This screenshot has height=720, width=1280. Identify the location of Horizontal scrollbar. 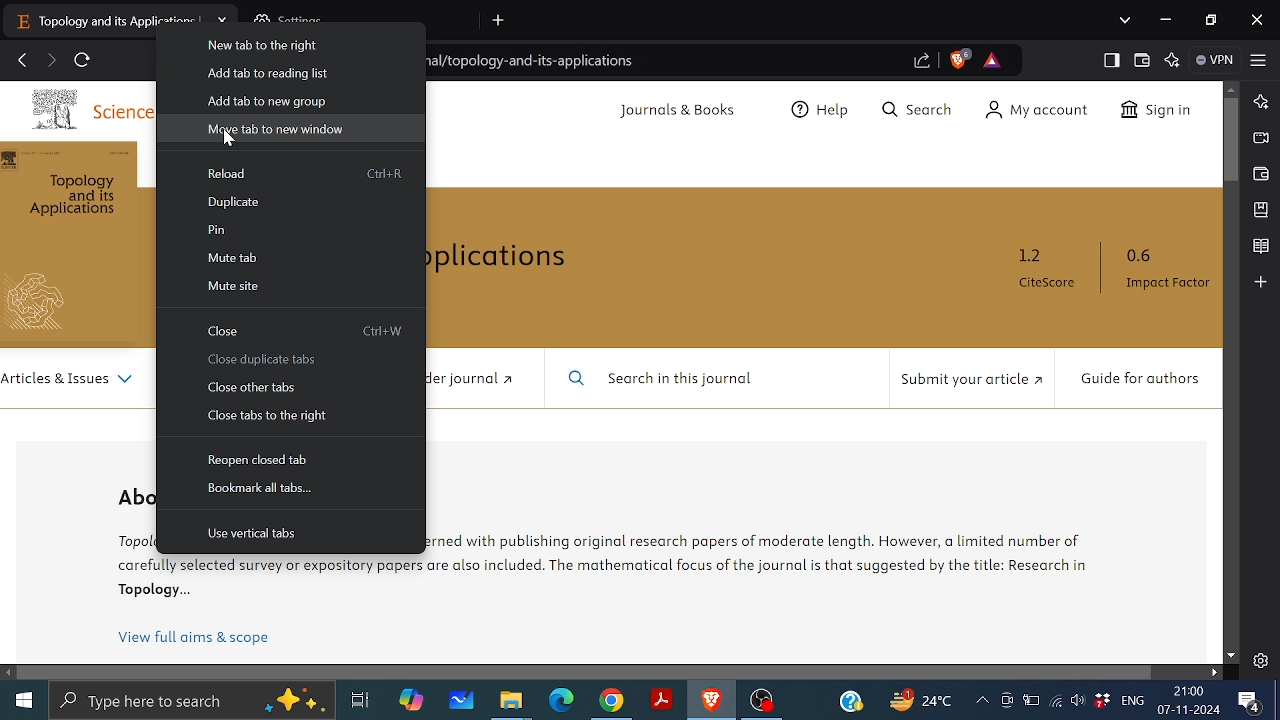
(585, 672).